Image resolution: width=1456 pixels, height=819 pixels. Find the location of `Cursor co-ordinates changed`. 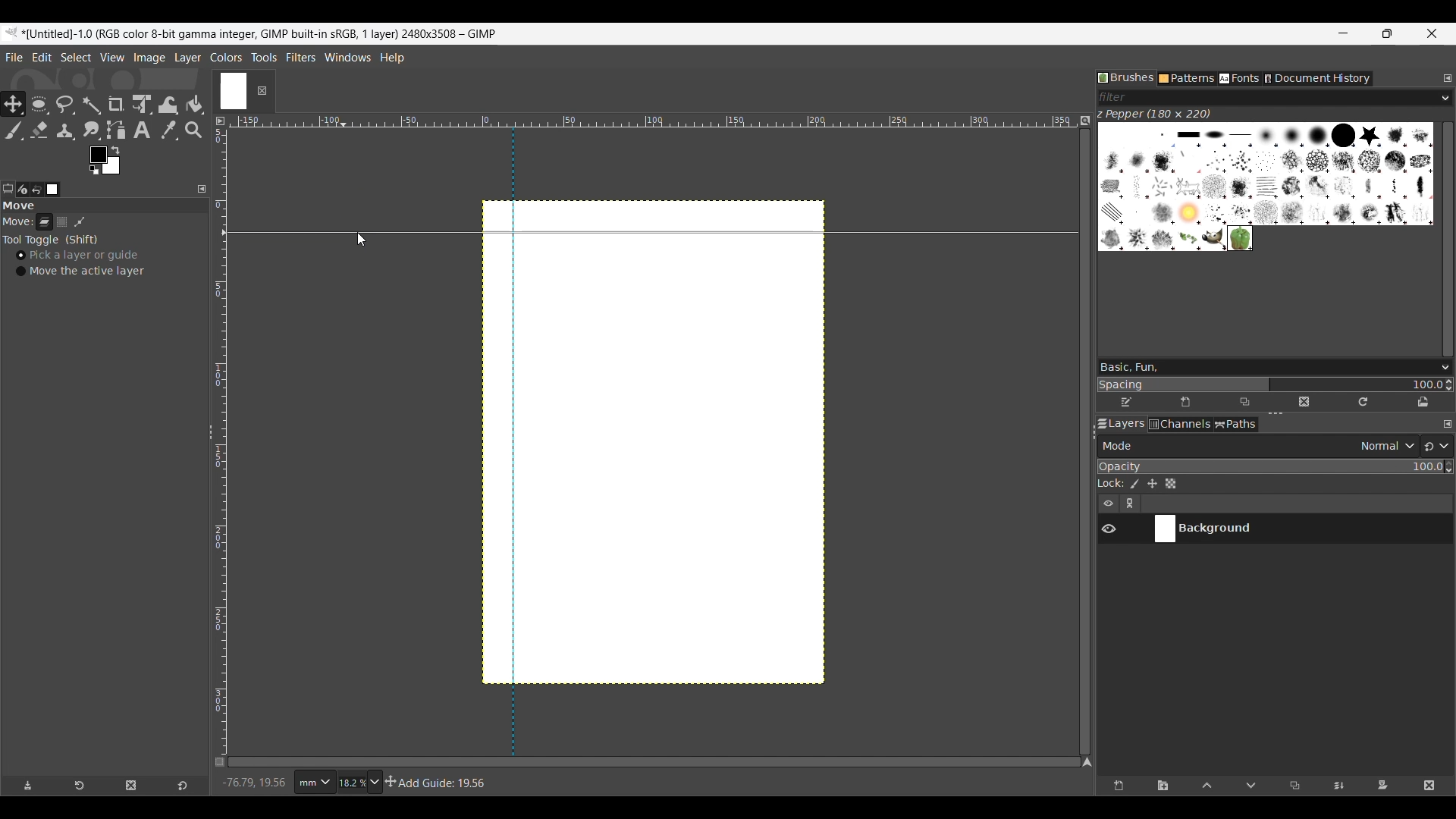

Cursor co-ordinates changed is located at coordinates (253, 783).